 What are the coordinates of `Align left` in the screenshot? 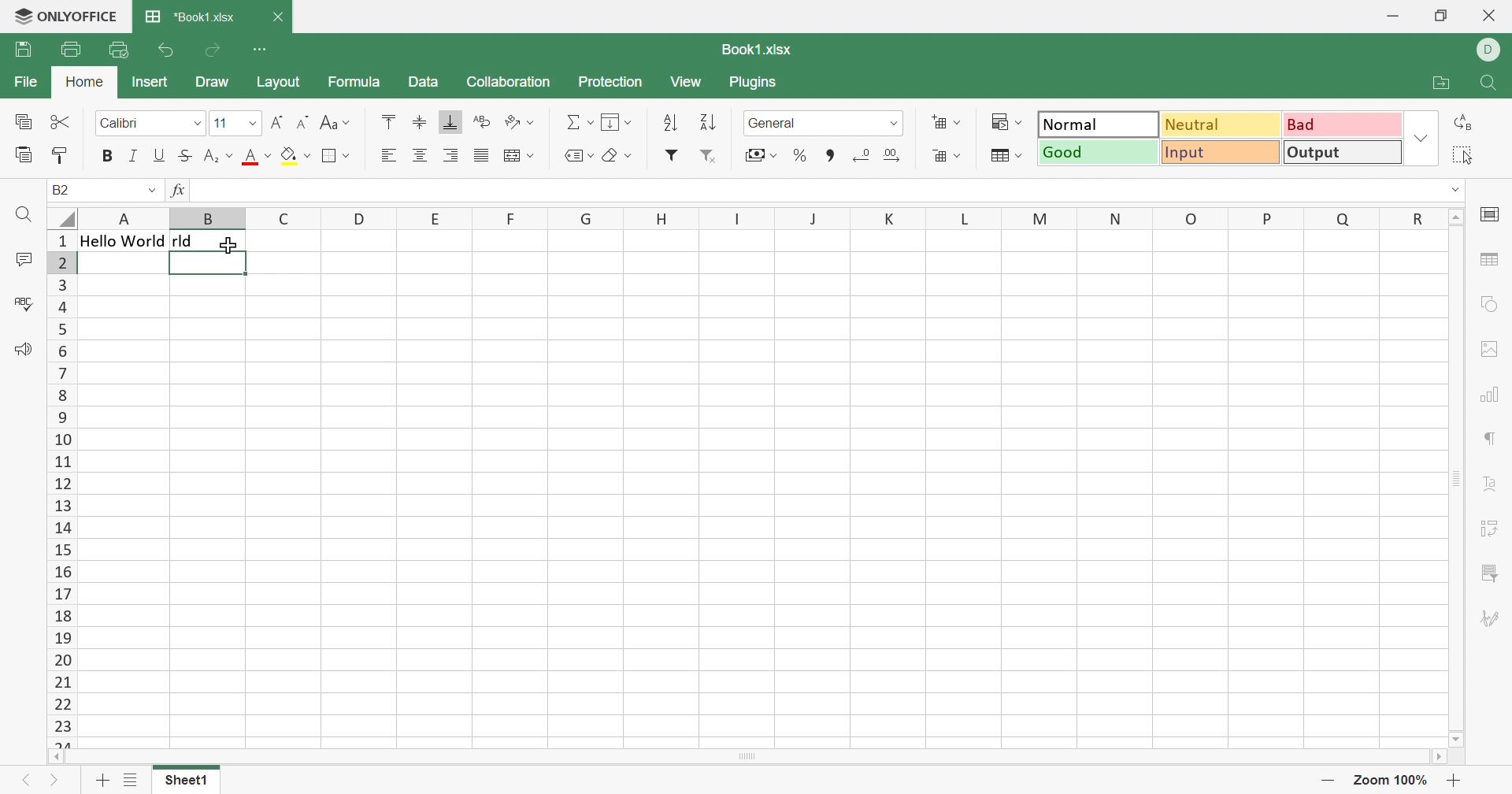 It's located at (391, 154).